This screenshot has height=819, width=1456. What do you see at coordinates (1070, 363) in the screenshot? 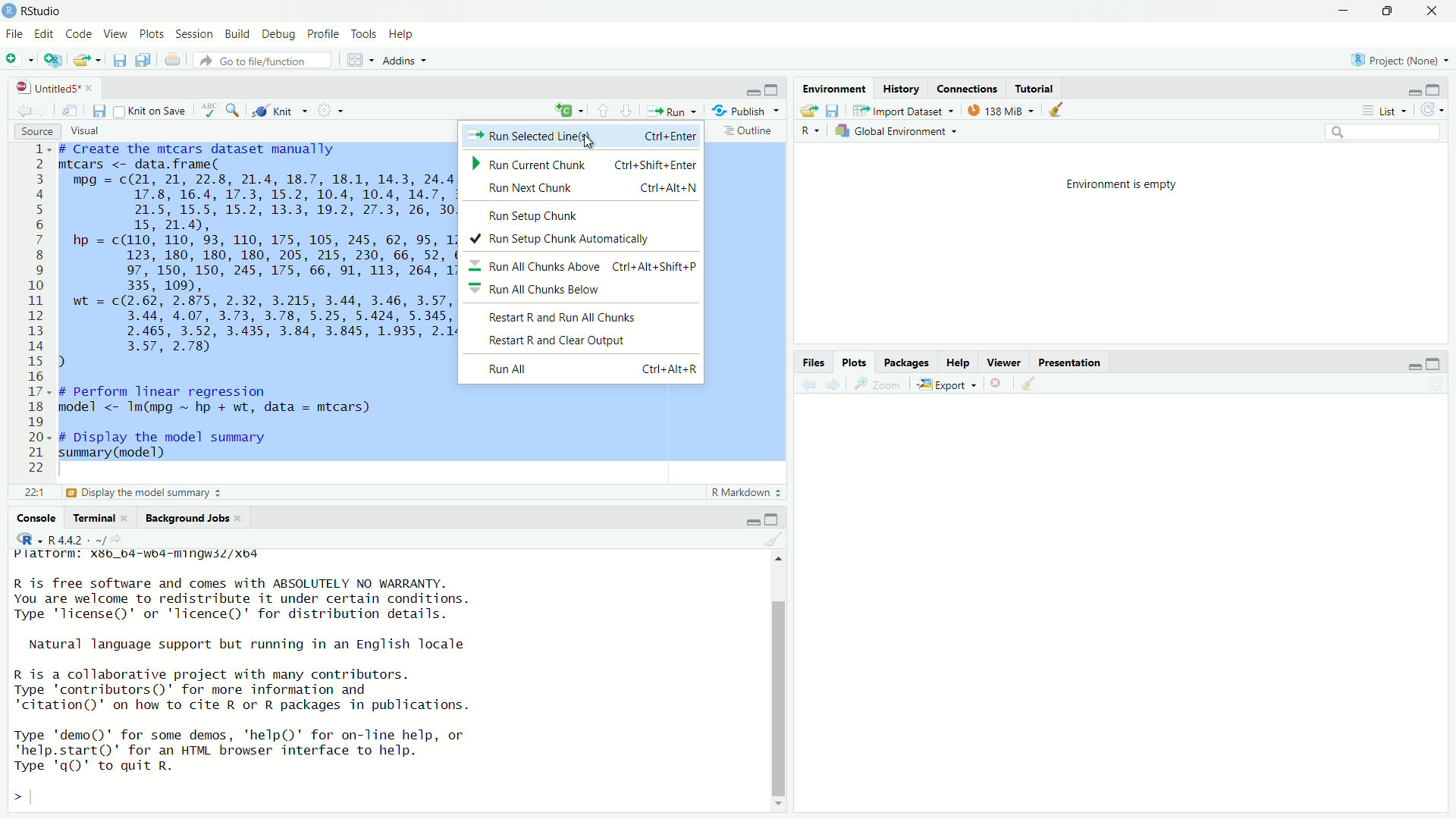
I see `Presentation` at bounding box center [1070, 363].